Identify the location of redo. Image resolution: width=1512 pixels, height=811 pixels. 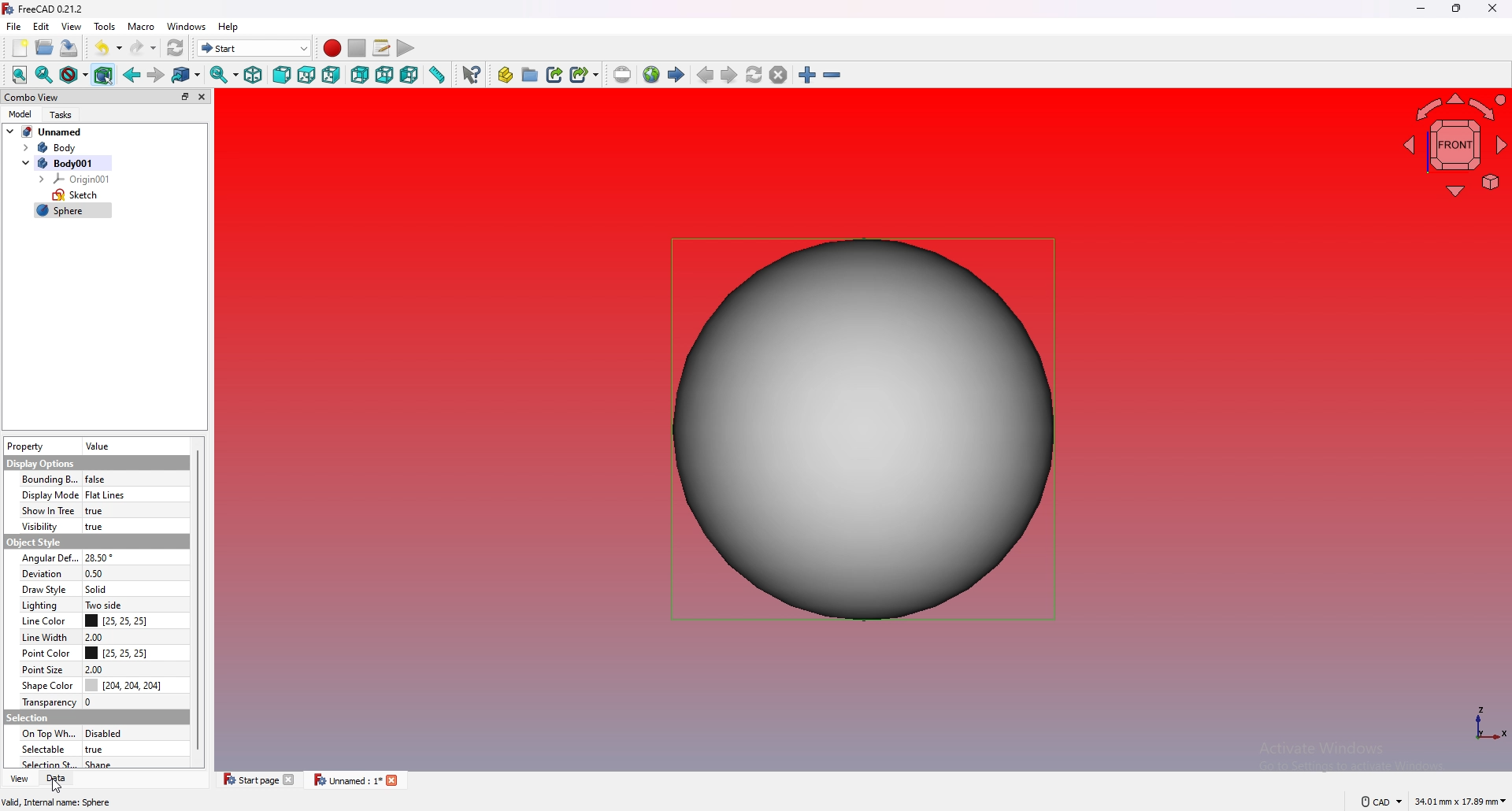
(144, 47).